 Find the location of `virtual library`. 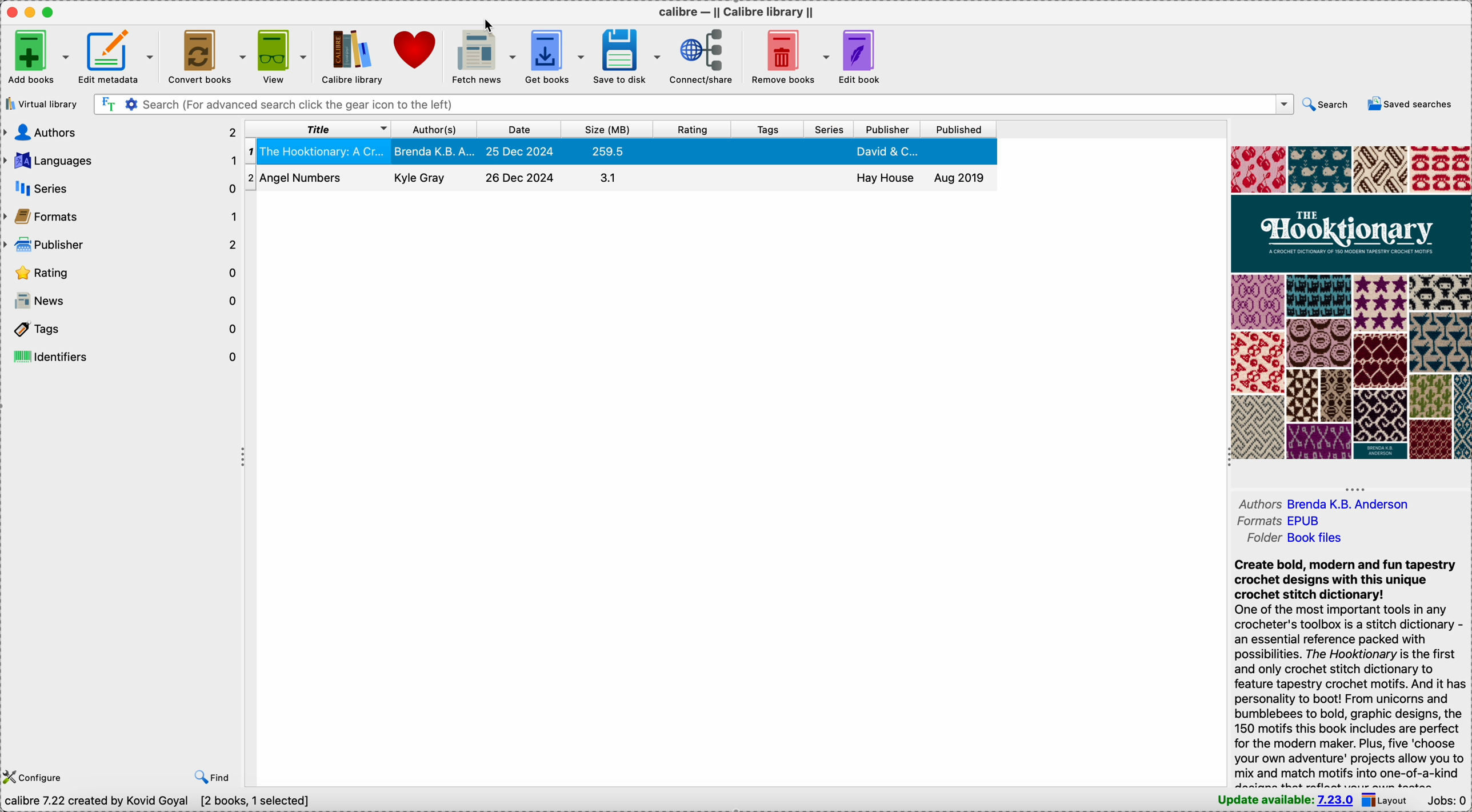

virtual library is located at coordinates (41, 103).